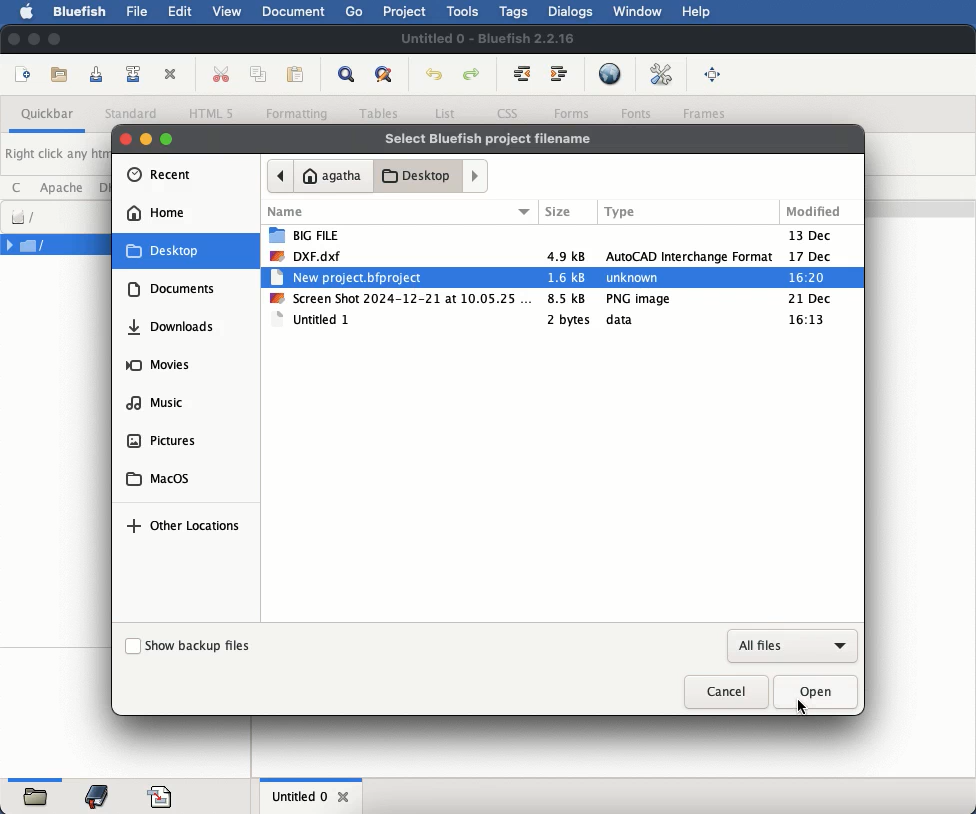  I want to click on new project.bfprojet, so click(561, 276).